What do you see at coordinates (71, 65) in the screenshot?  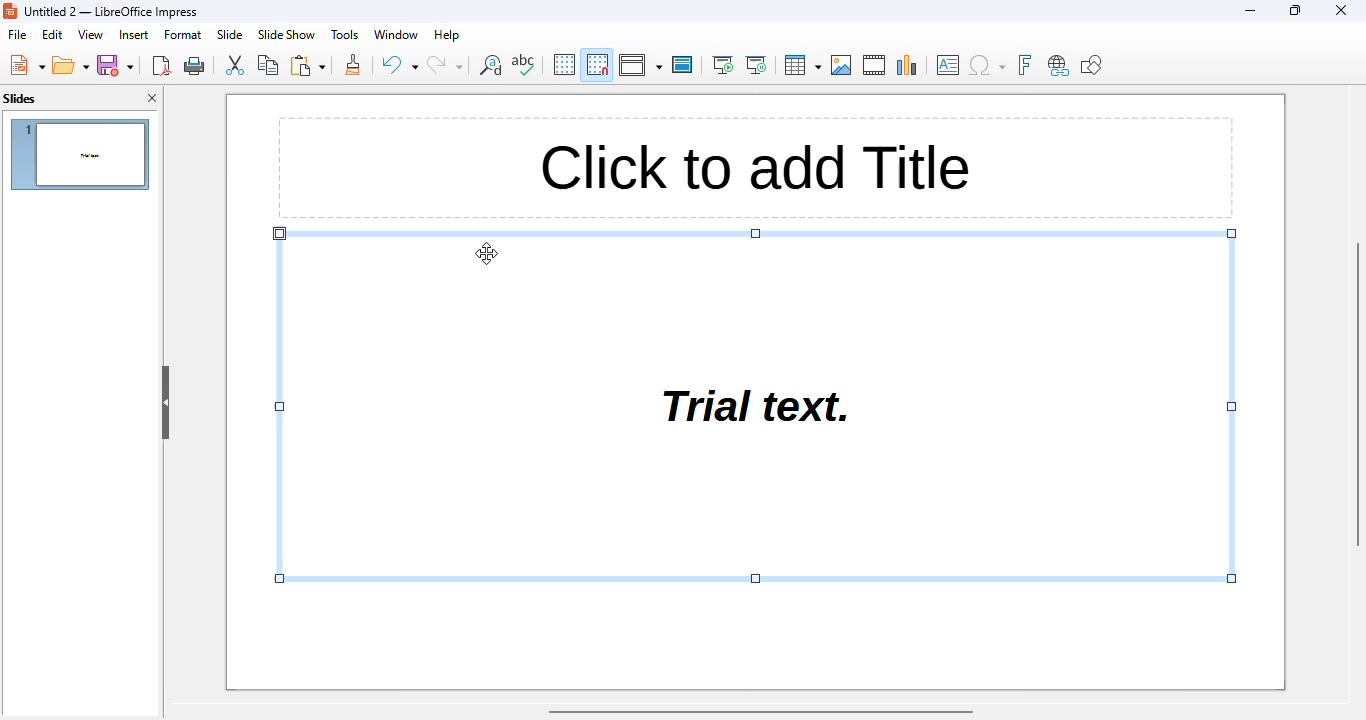 I see `open` at bounding box center [71, 65].